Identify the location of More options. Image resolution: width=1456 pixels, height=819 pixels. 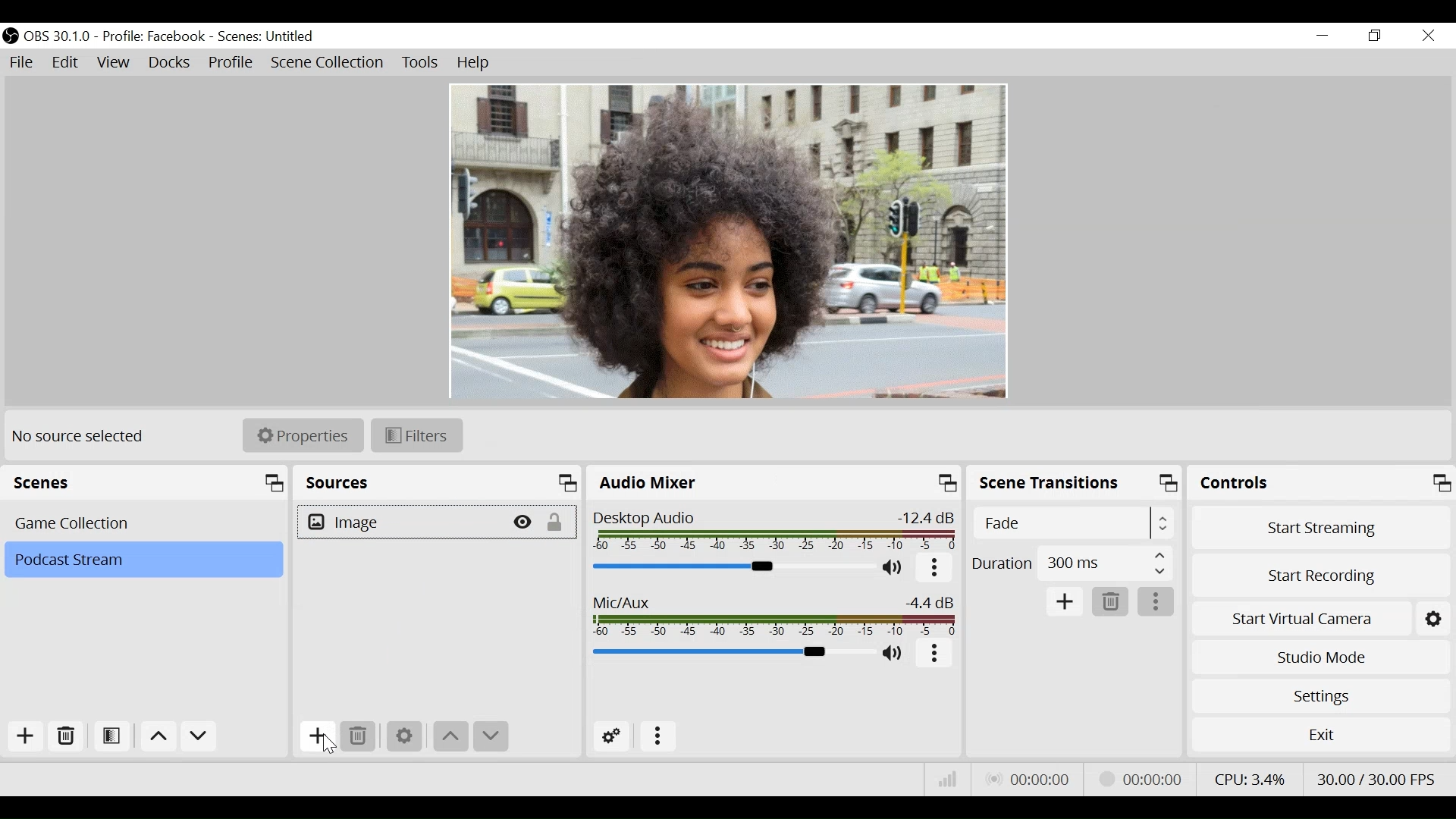
(659, 737).